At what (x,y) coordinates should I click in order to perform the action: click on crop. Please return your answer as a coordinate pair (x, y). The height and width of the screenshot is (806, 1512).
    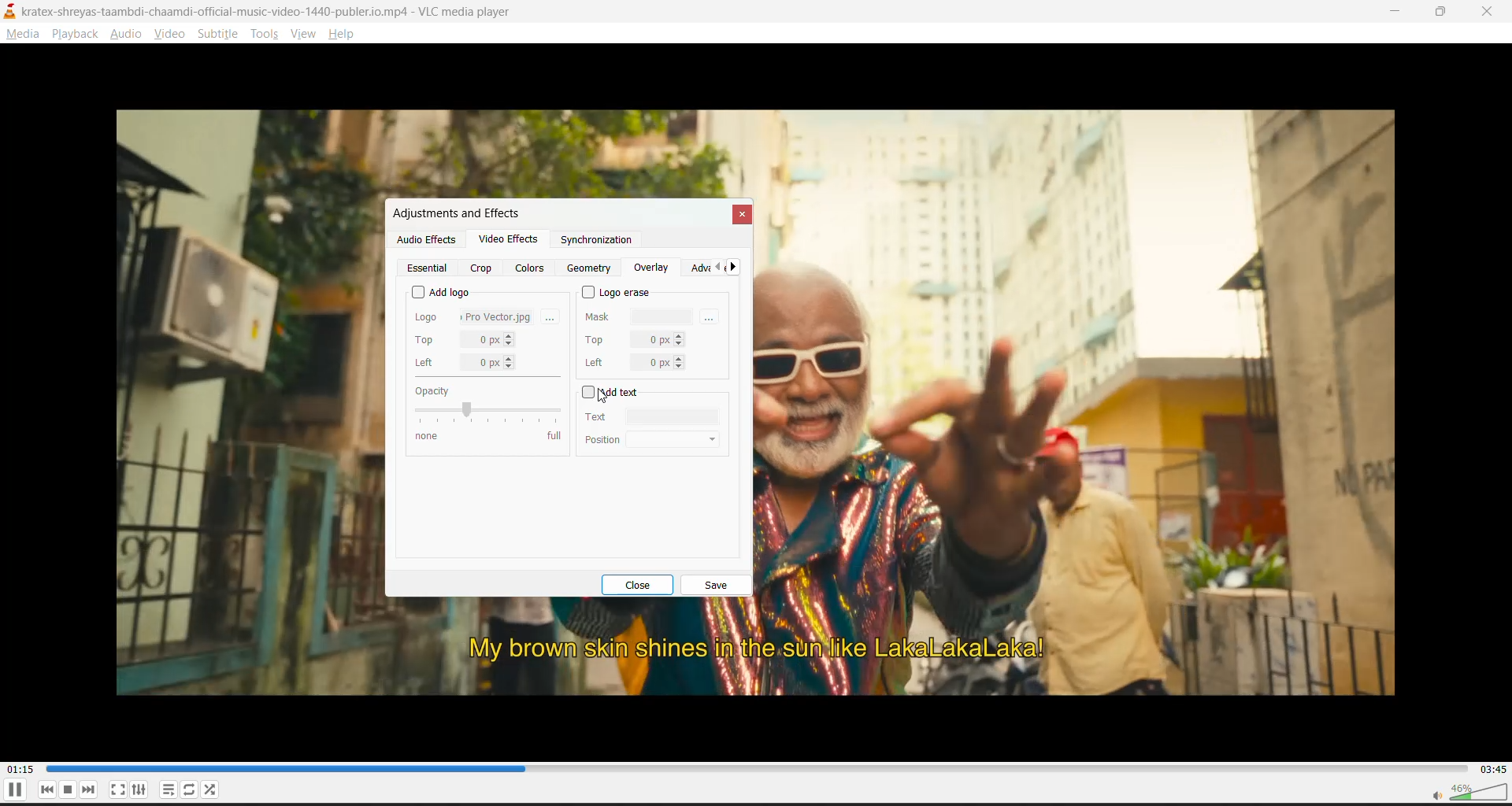
    Looking at the image, I should click on (481, 268).